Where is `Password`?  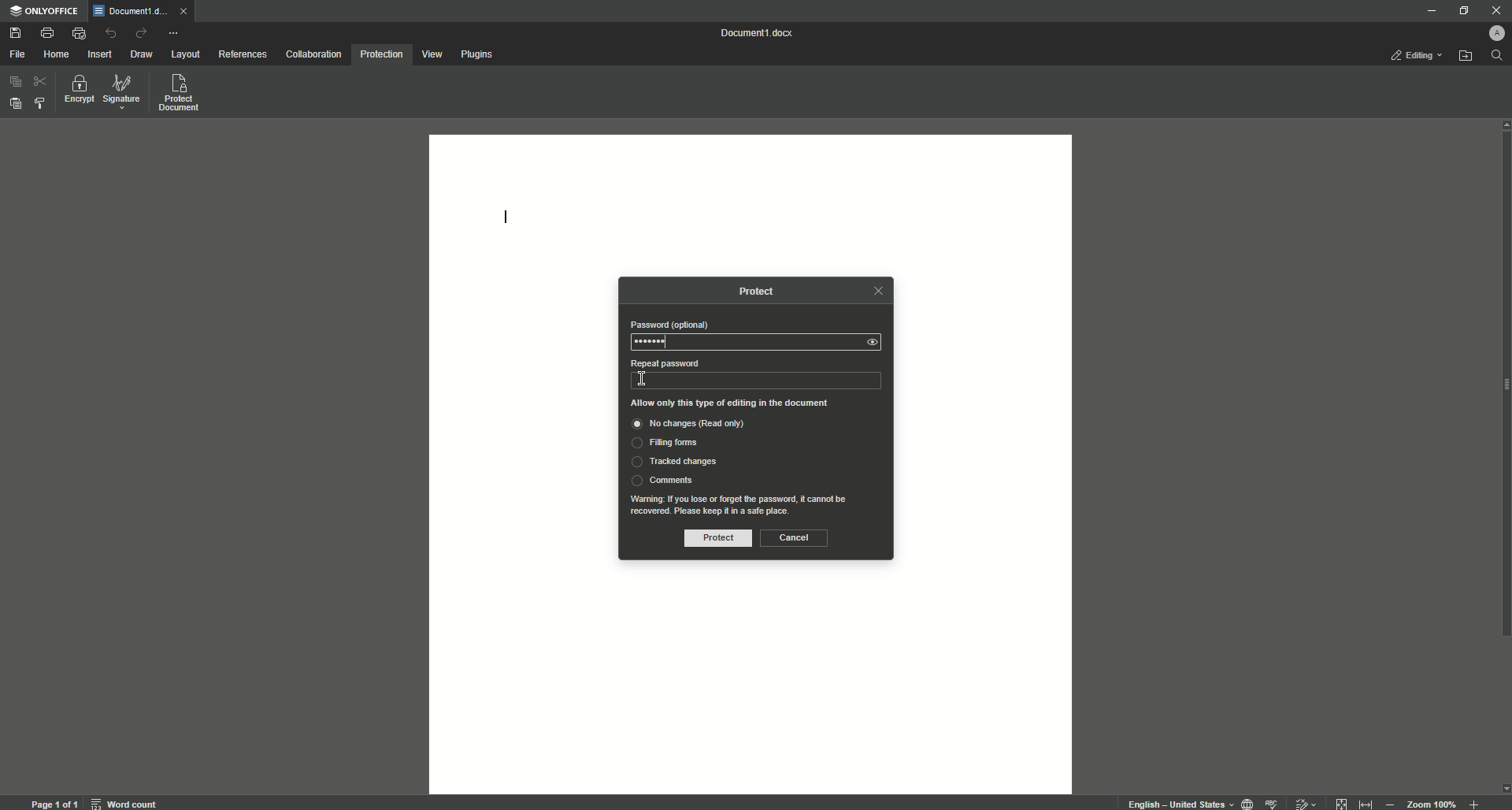 Password is located at coordinates (669, 325).